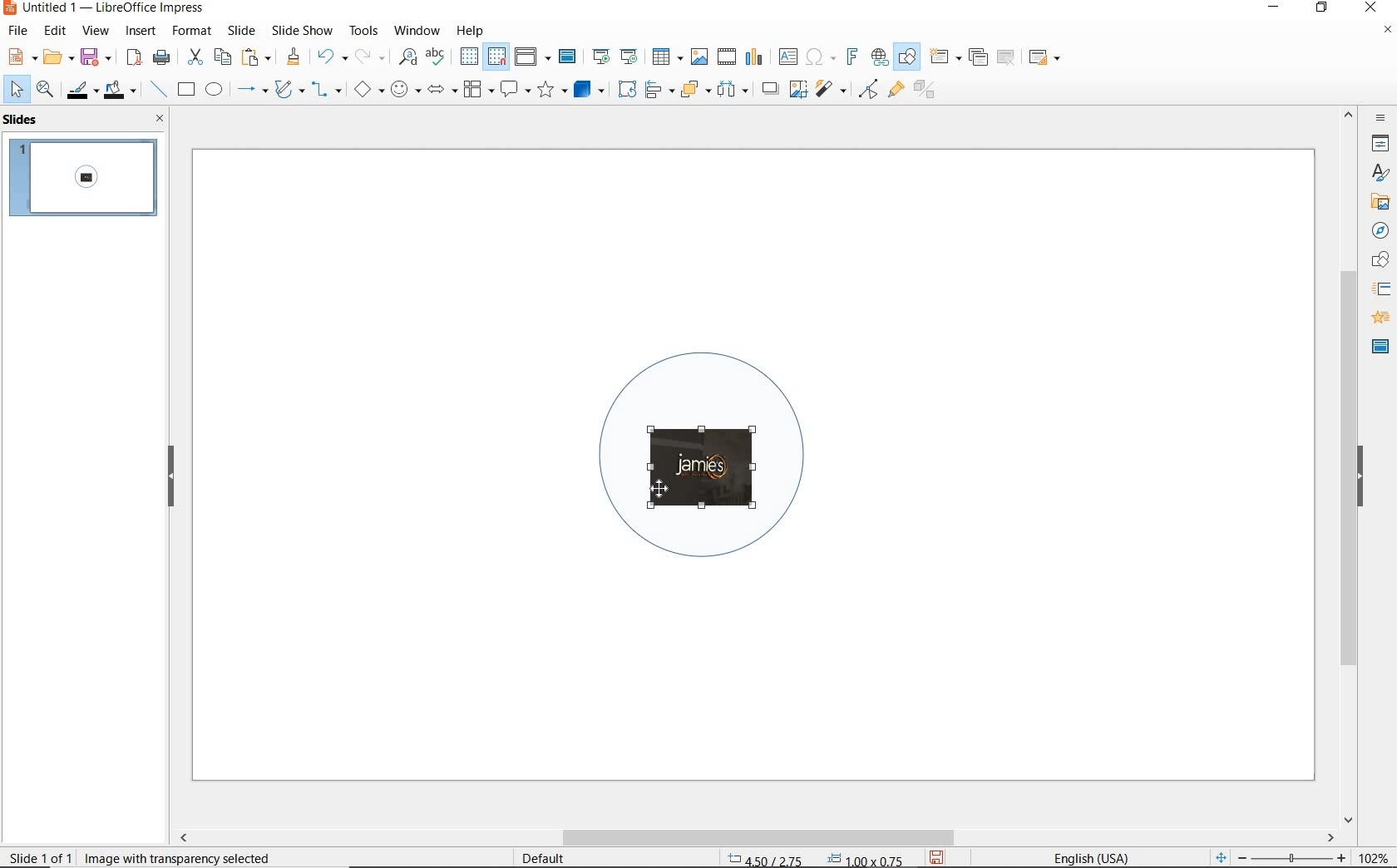 The image size is (1397, 868). I want to click on export as PDF, so click(134, 58).